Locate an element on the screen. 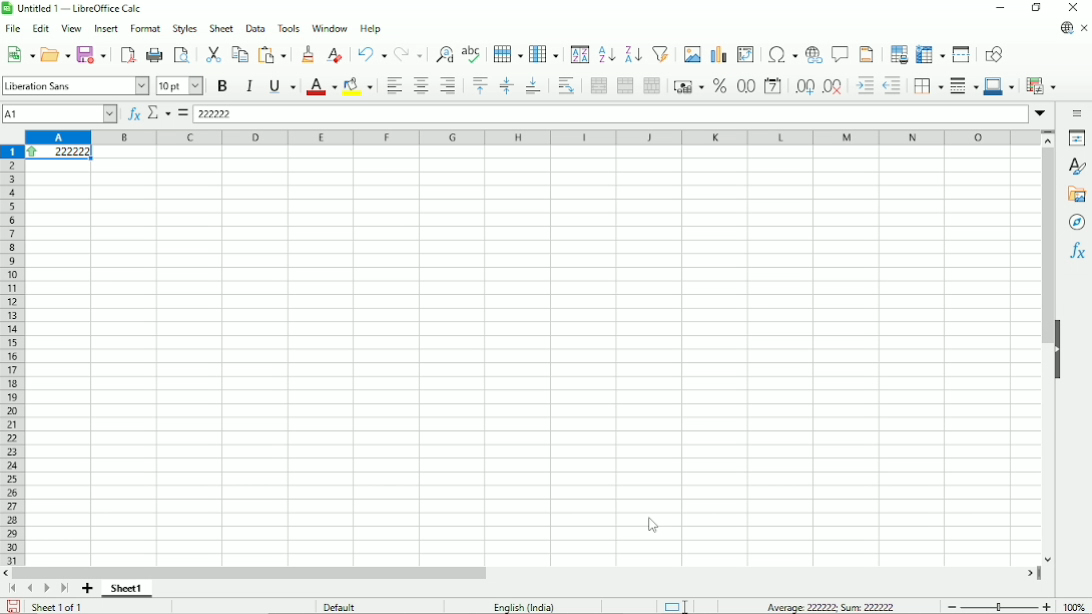 This screenshot has width=1092, height=614. Open is located at coordinates (56, 54).